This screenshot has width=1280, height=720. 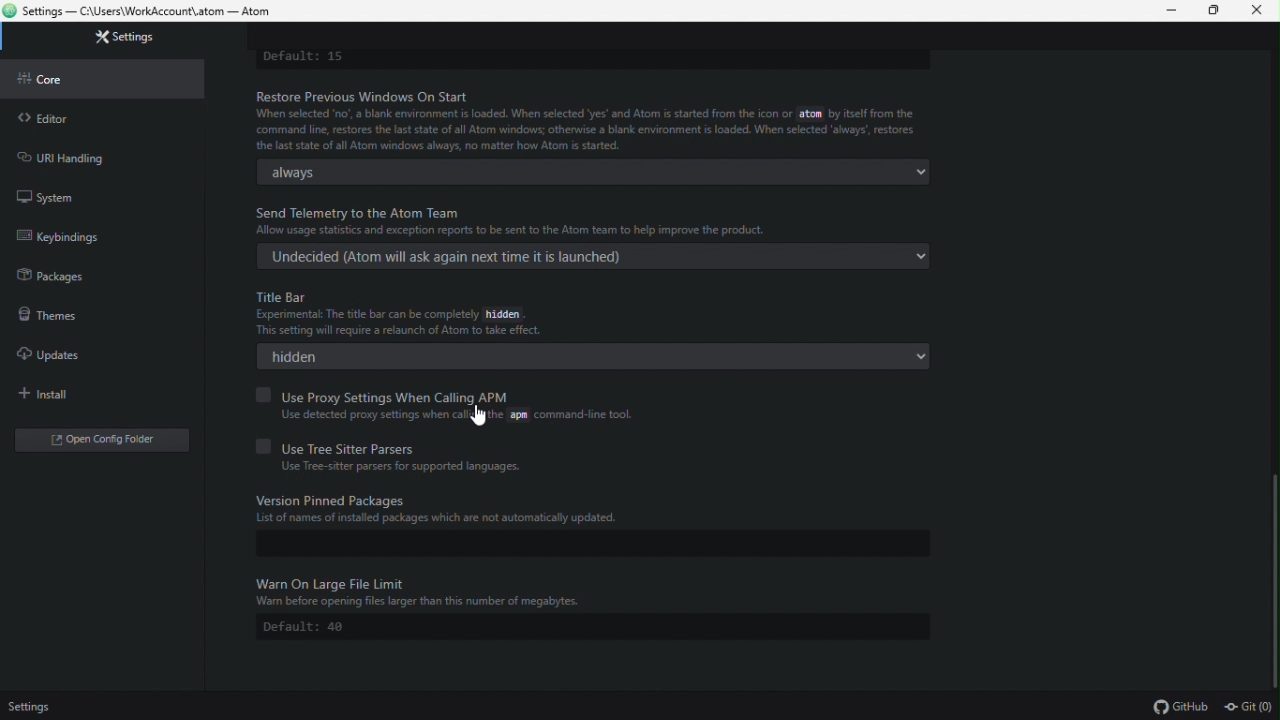 I want to click on  Settings — C:\Users\WorkAccount\.atom — Atom, so click(x=144, y=12).